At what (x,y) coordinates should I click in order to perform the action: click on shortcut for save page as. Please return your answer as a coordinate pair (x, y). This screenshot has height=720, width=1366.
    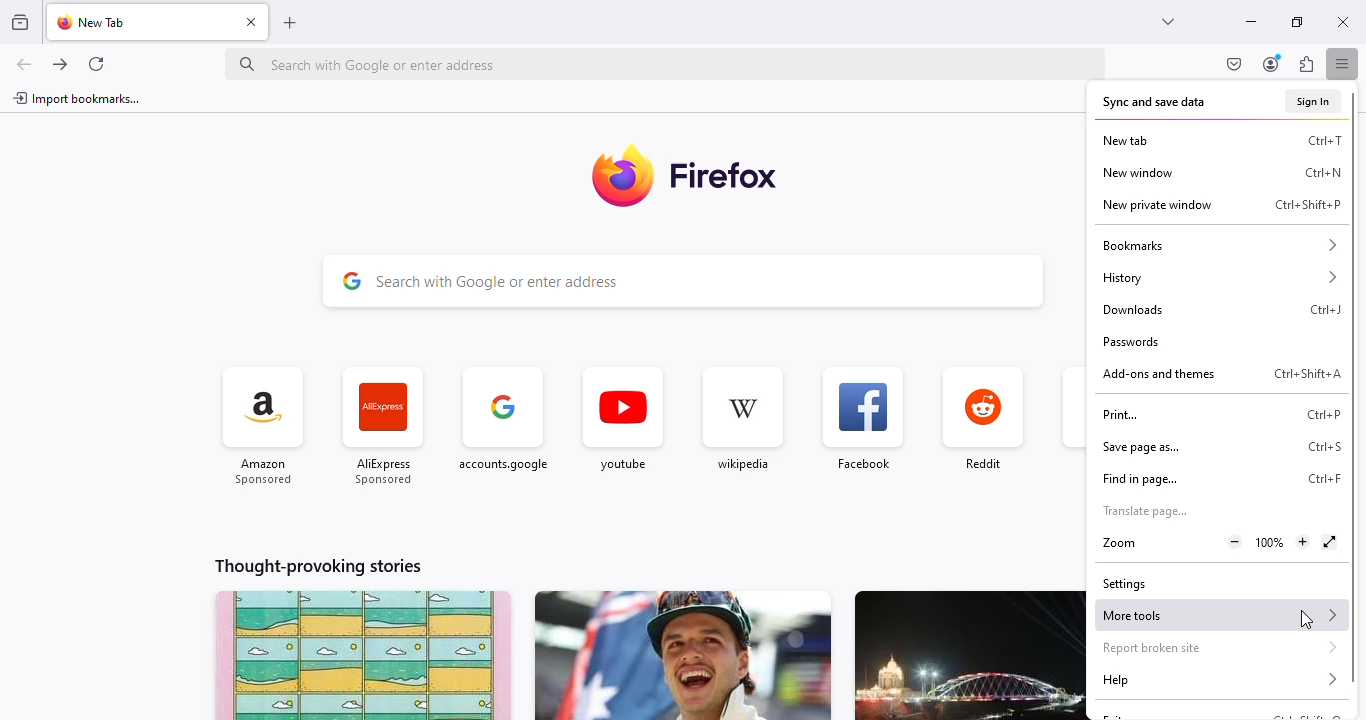
    Looking at the image, I should click on (1324, 446).